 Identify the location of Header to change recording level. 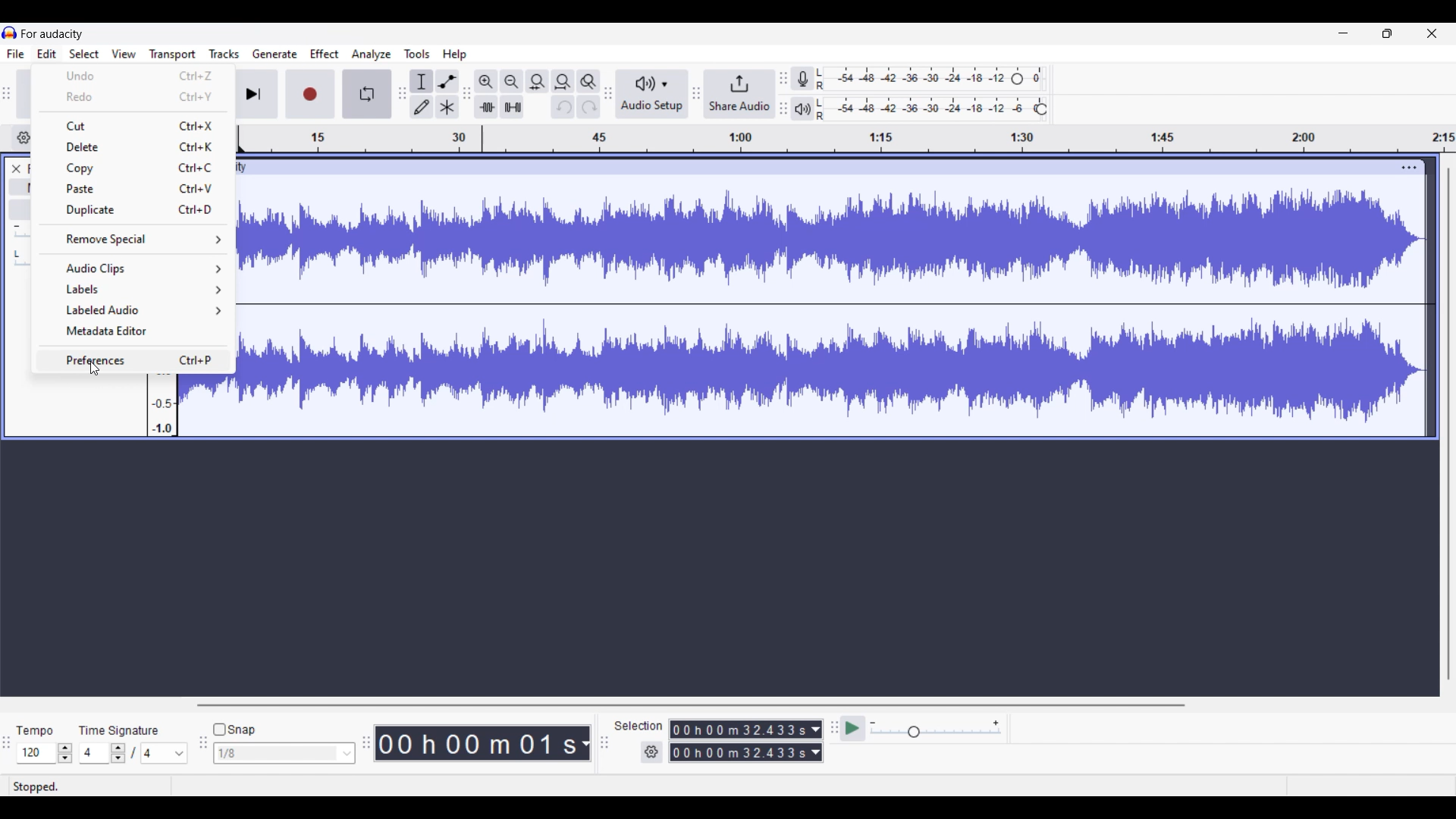
(1017, 79).